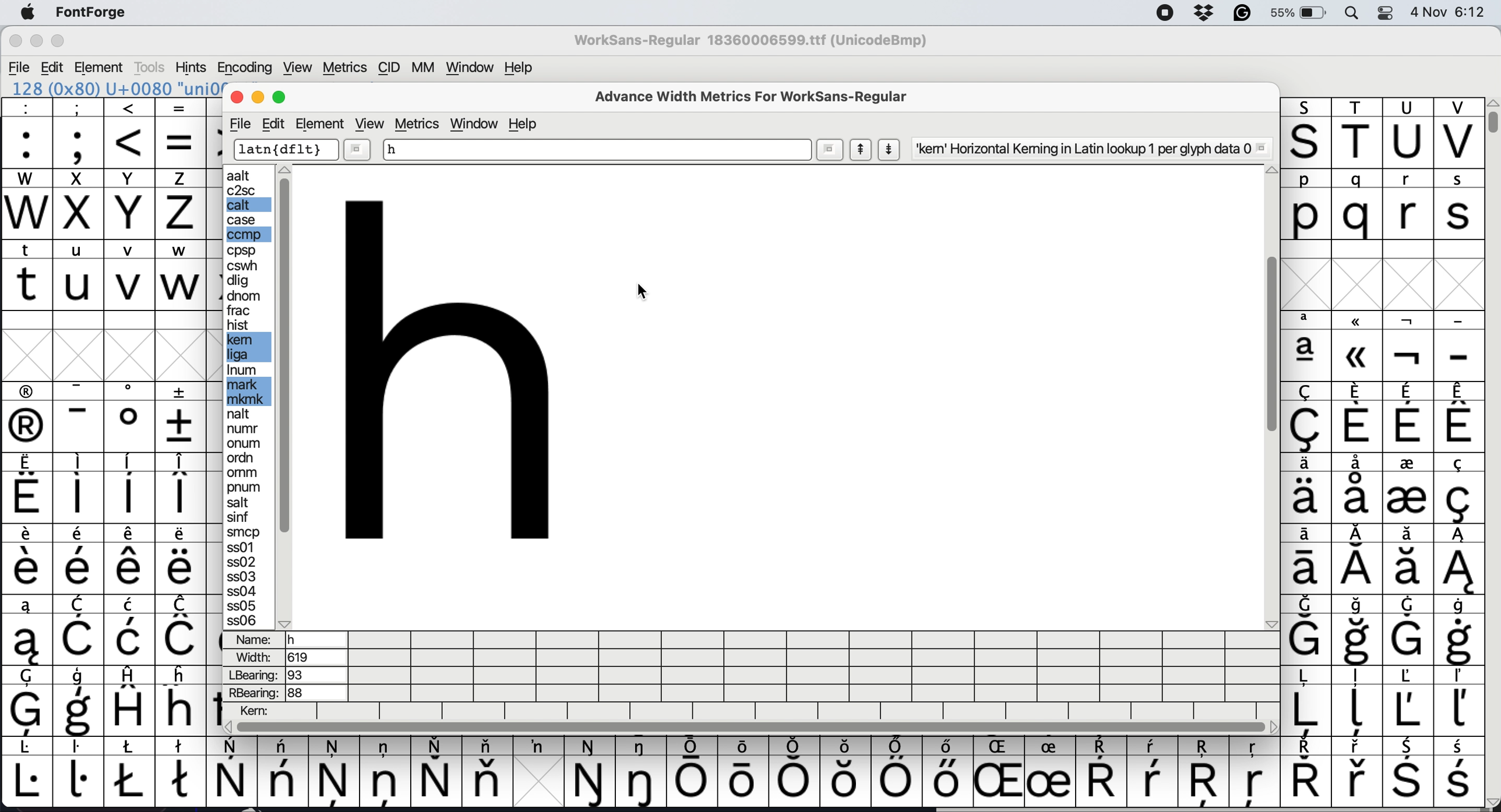 The height and width of the screenshot is (812, 1501). Describe the element at coordinates (111, 427) in the screenshot. I see `special characters` at that location.